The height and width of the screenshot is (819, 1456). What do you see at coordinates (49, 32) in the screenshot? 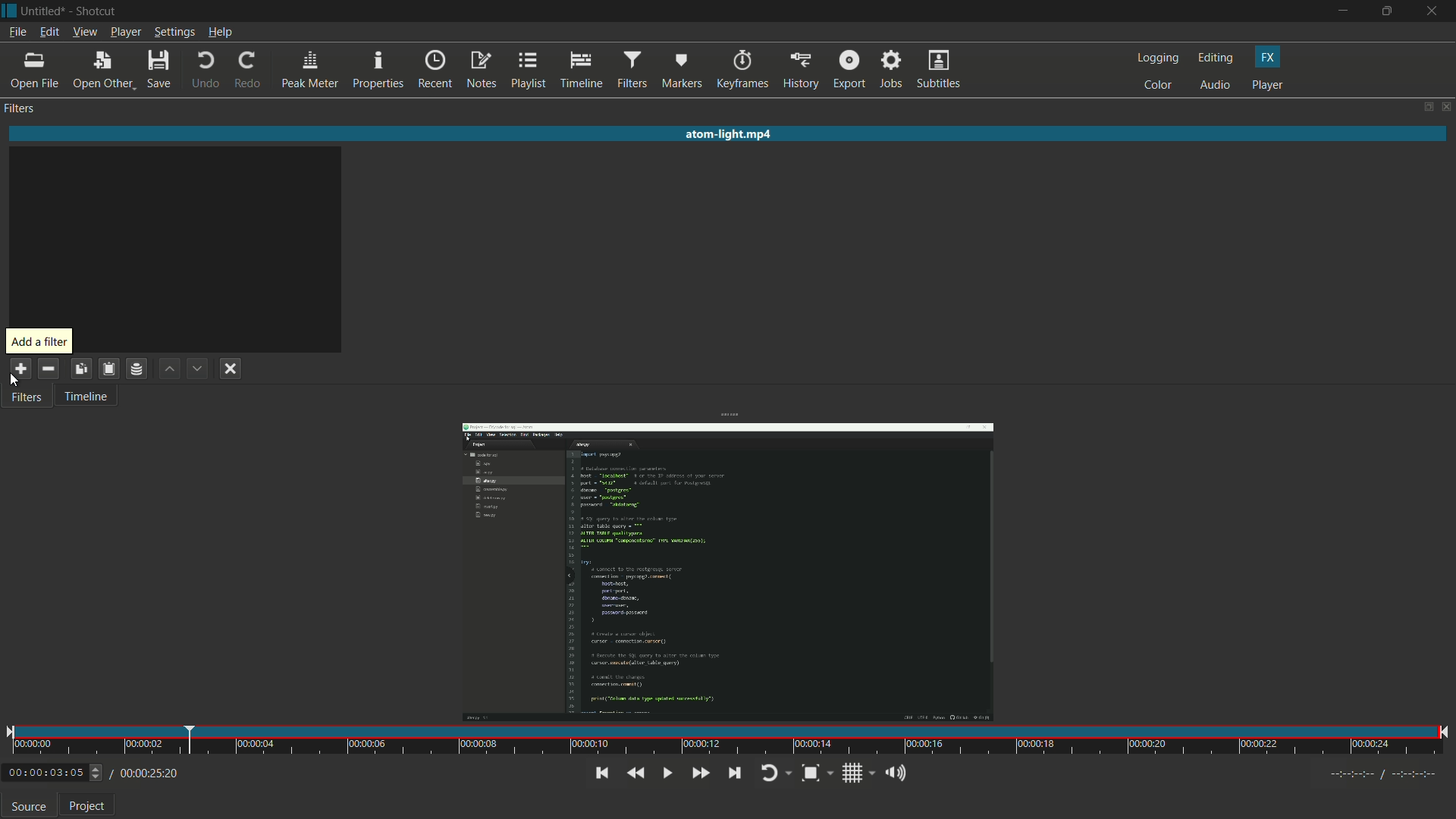
I see `edit menu` at bounding box center [49, 32].